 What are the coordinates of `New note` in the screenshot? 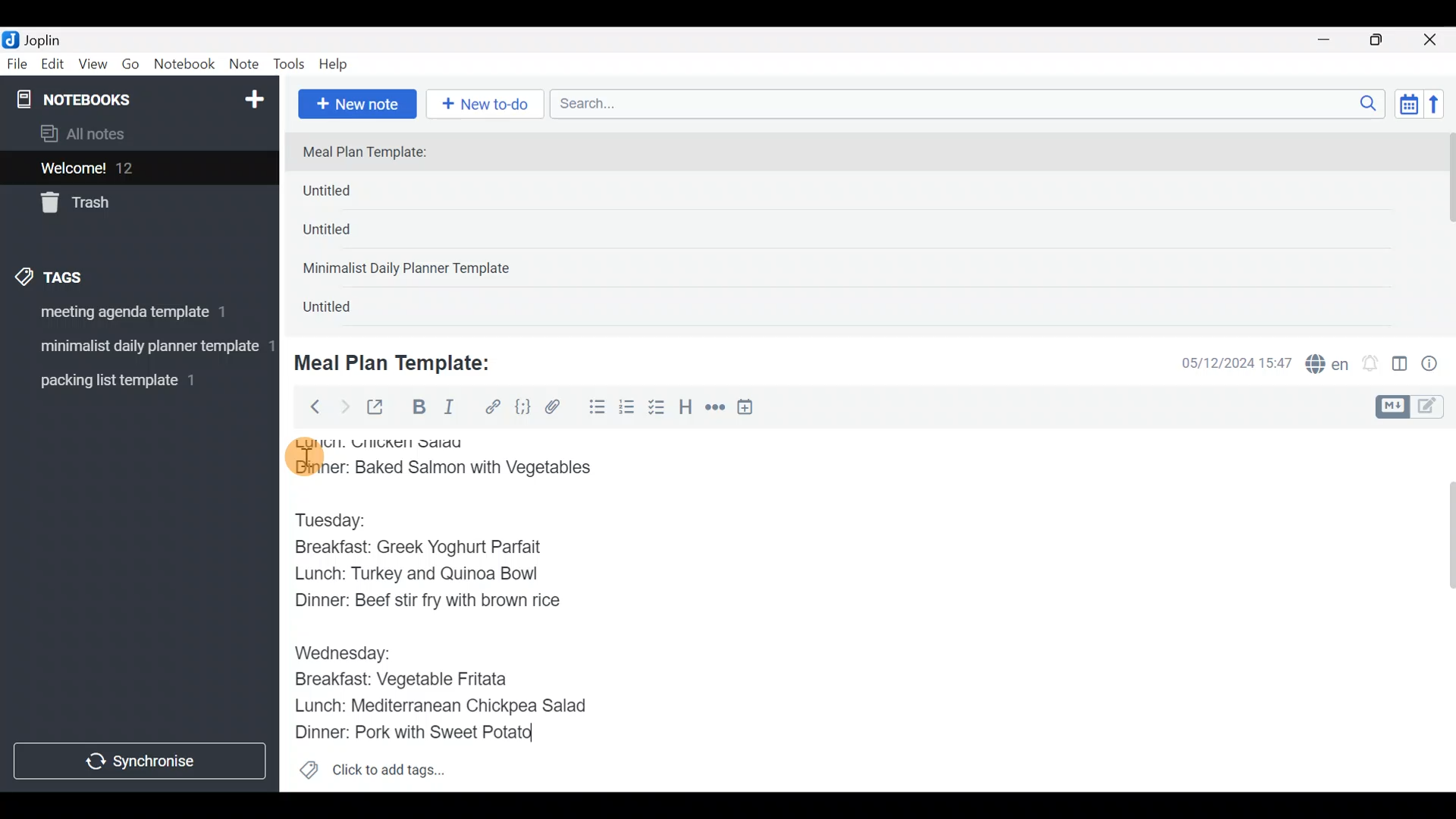 It's located at (356, 102).